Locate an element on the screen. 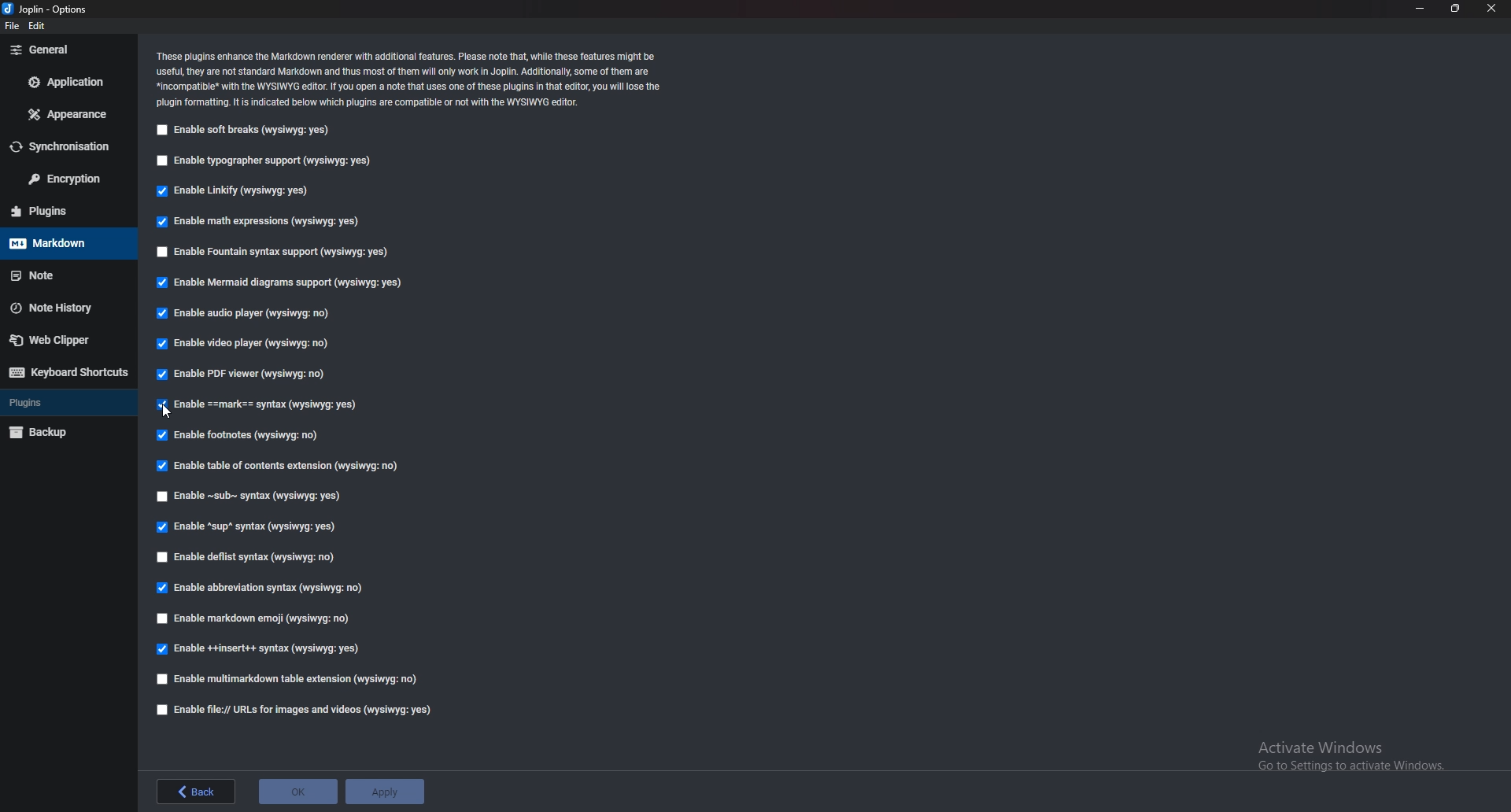 This screenshot has height=812, width=1511. Encryption is located at coordinates (68, 179).